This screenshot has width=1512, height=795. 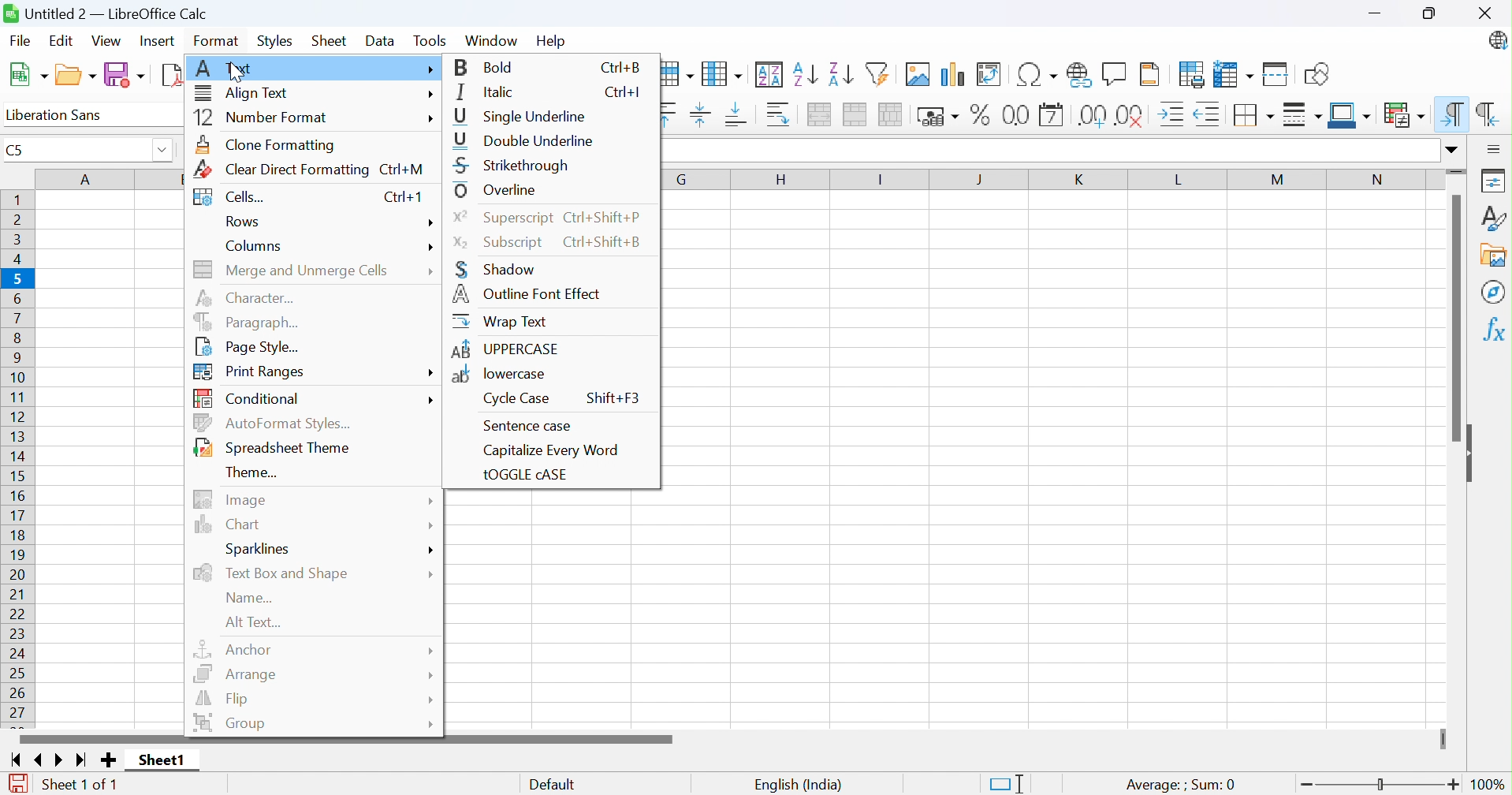 What do you see at coordinates (487, 66) in the screenshot?
I see `Bold` at bounding box center [487, 66].